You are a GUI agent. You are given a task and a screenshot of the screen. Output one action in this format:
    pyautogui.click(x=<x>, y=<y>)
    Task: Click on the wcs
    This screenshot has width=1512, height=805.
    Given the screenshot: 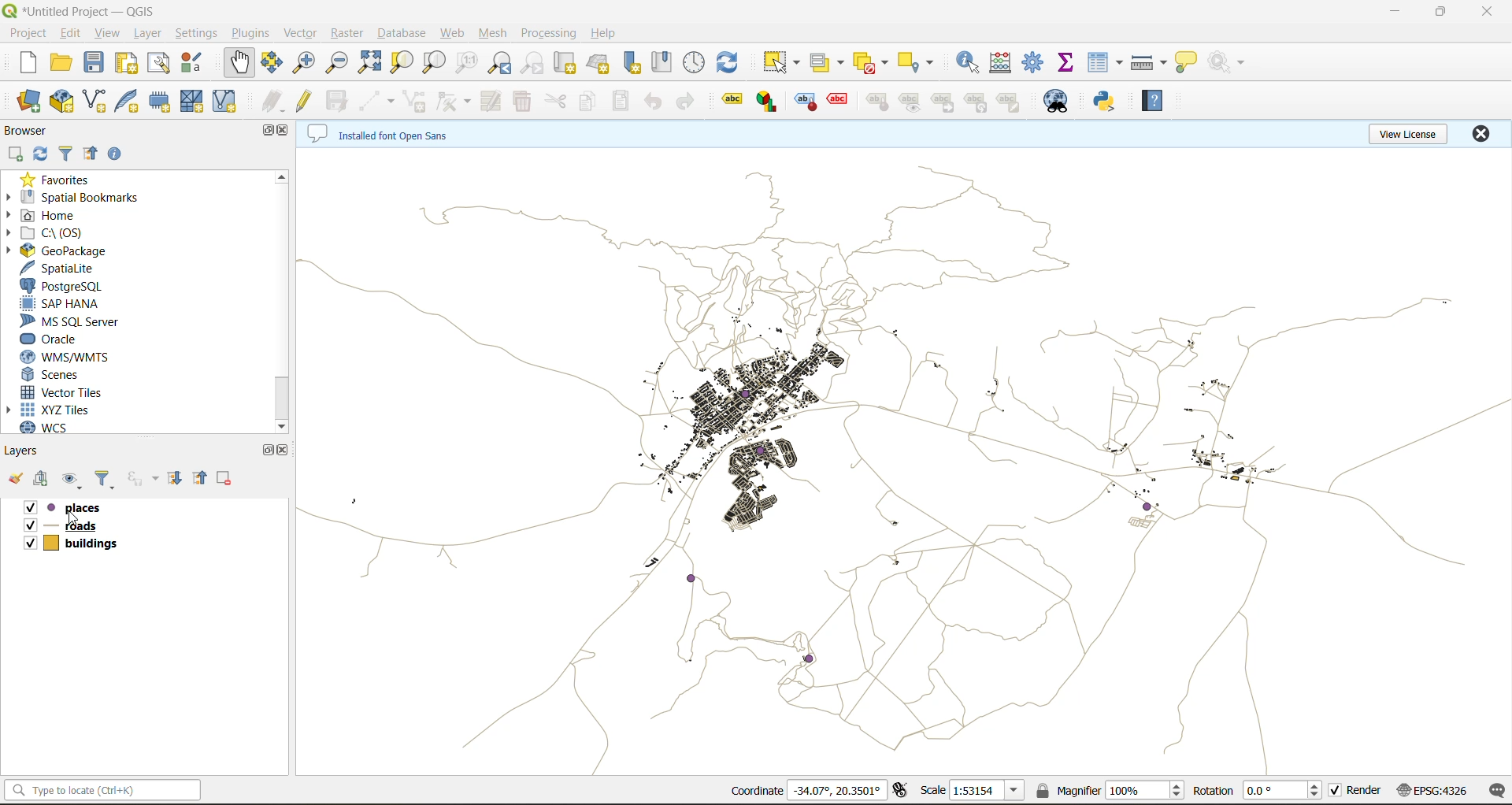 What is the action you would take?
    pyautogui.click(x=60, y=428)
    